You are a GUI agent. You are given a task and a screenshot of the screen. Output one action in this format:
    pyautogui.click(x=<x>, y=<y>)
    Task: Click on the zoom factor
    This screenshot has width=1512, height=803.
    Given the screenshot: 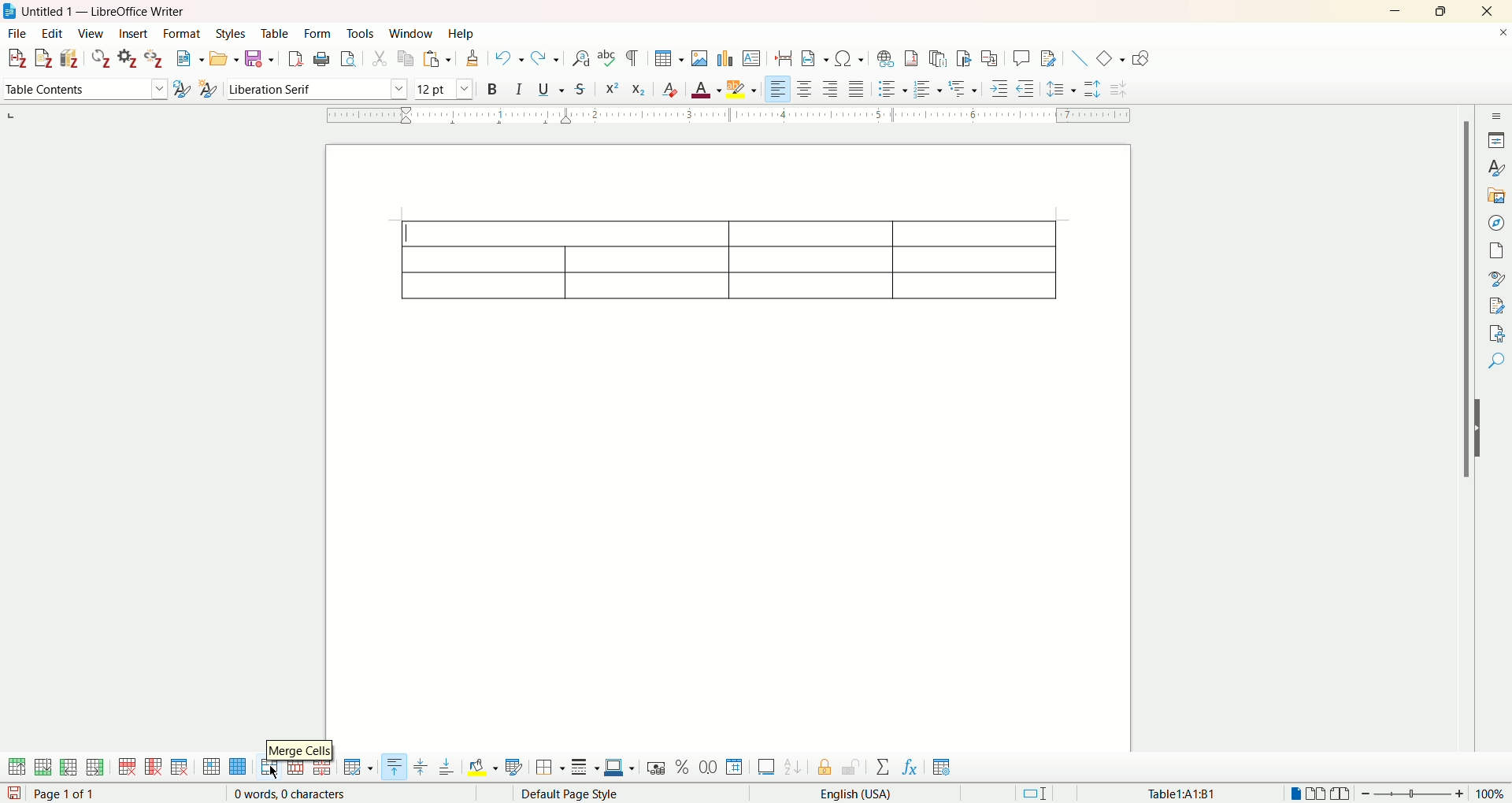 What is the action you would take?
    pyautogui.click(x=1432, y=794)
    